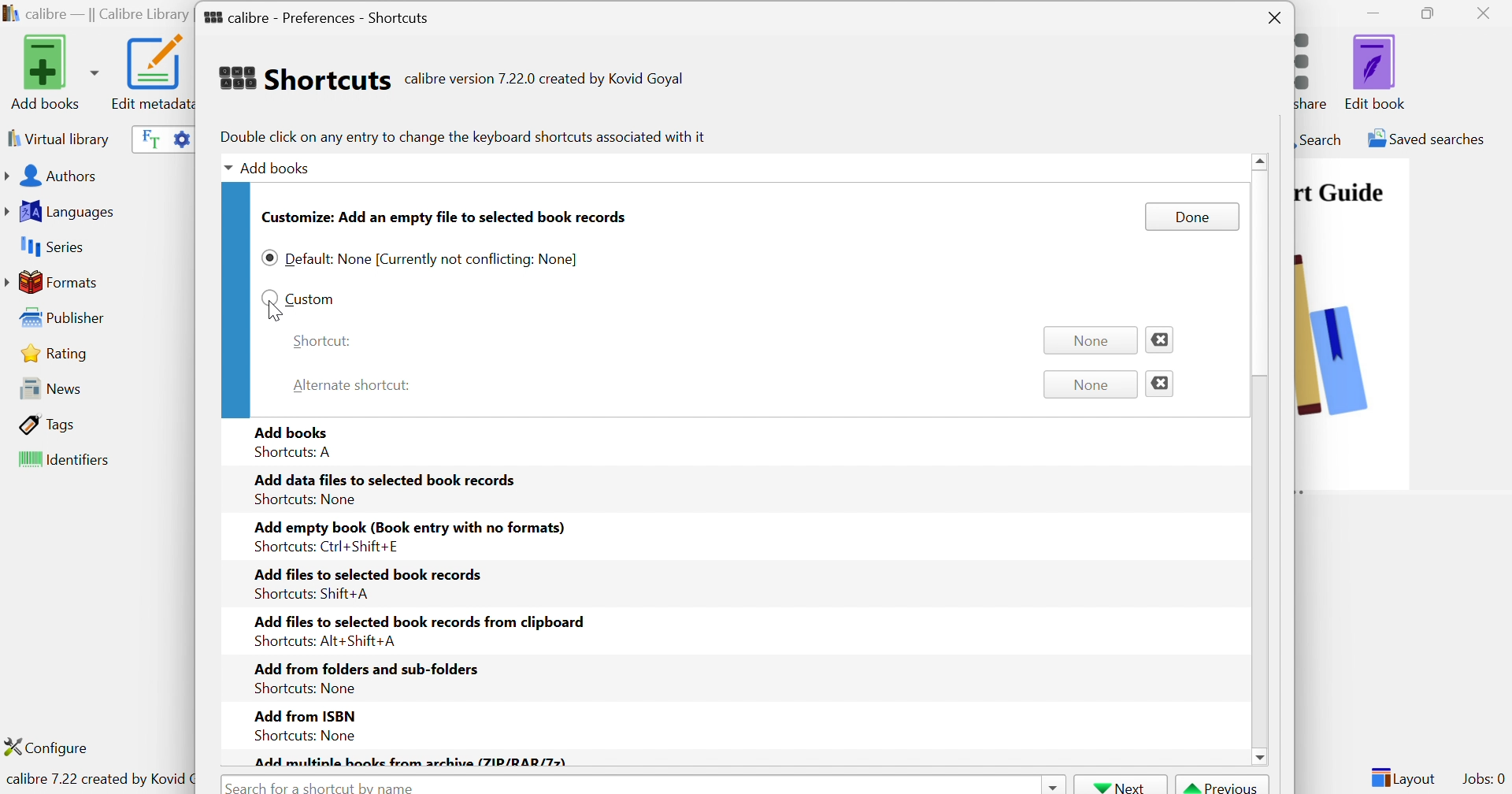  I want to click on Close, so click(1488, 13).